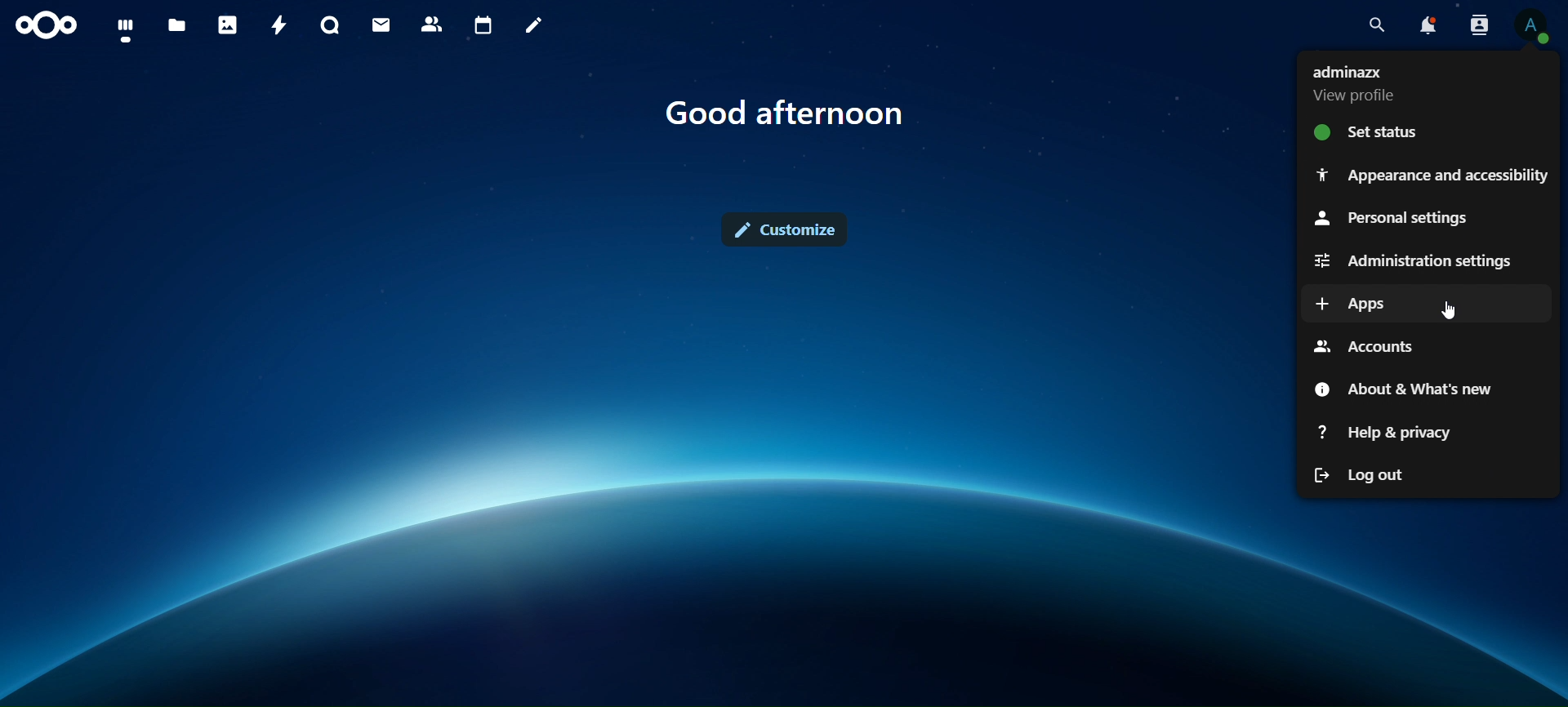  Describe the element at coordinates (529, 23) in the screenshot. I see `notes` at that location.